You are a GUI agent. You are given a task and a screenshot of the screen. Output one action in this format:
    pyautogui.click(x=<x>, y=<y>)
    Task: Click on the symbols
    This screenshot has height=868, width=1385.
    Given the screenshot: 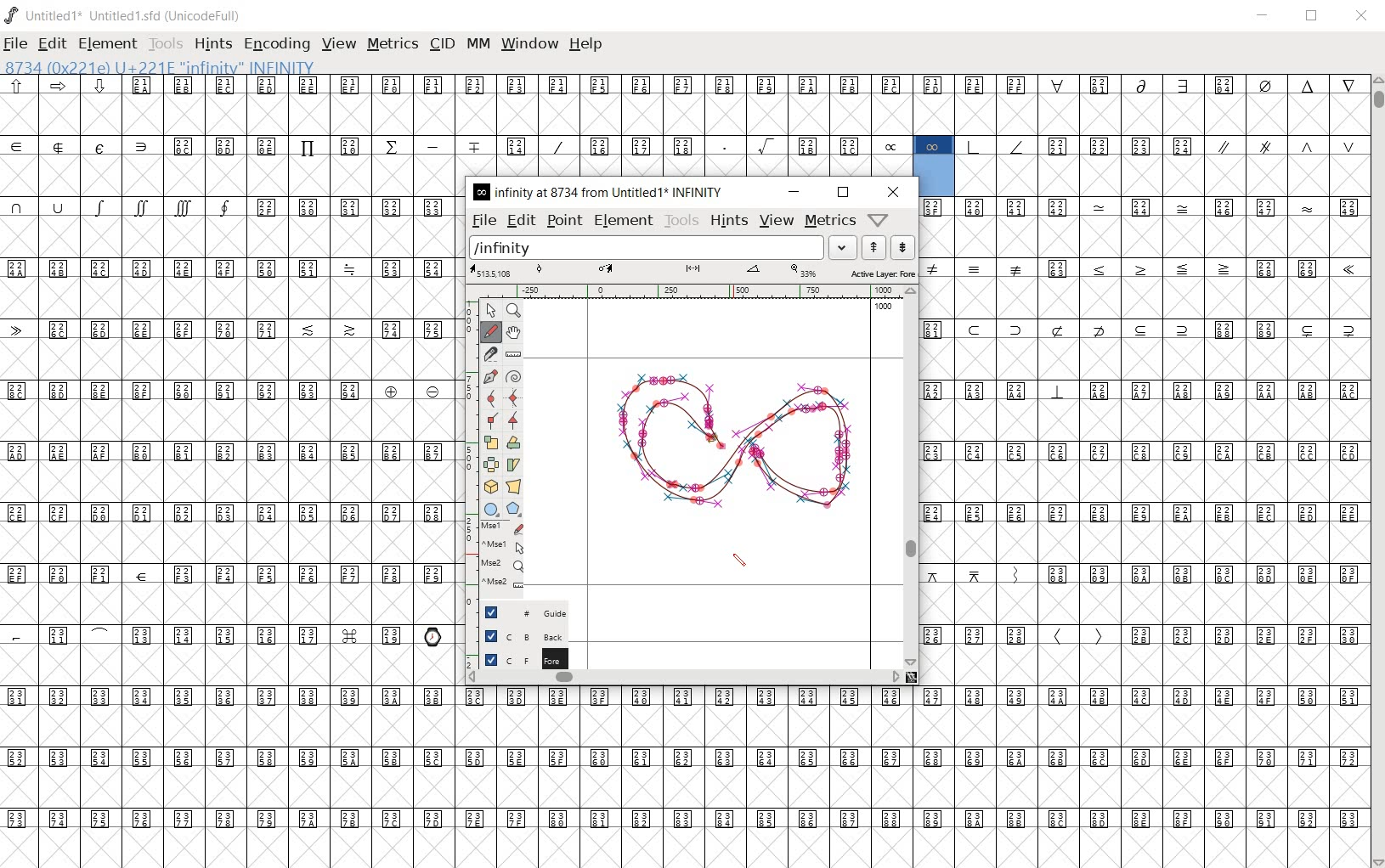 What is the action you would take?
    pyautogui.click(x=888, y=145)
    